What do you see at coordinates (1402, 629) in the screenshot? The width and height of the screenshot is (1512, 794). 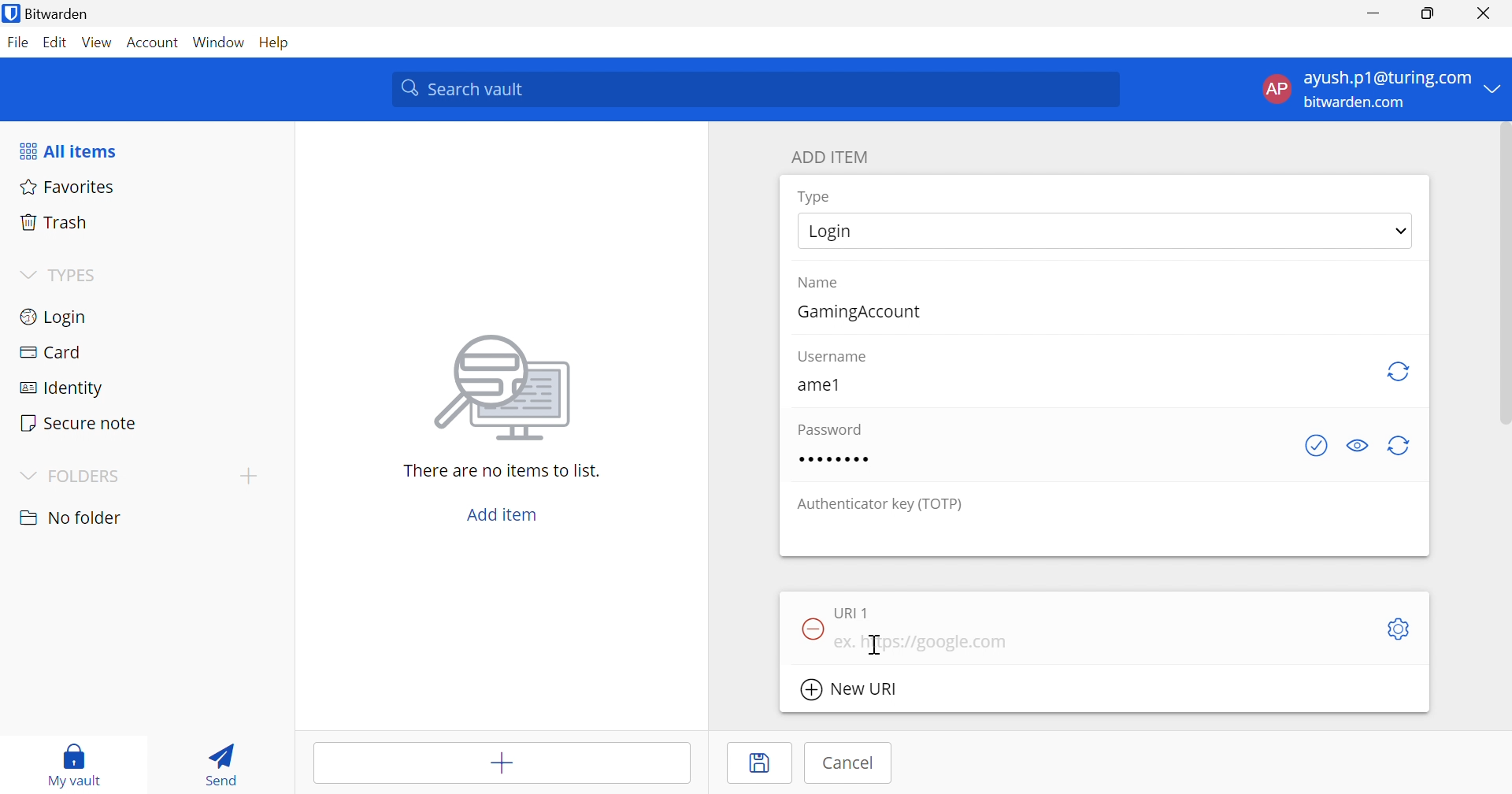 I see `Settings` at bounding box center [1402, 629].